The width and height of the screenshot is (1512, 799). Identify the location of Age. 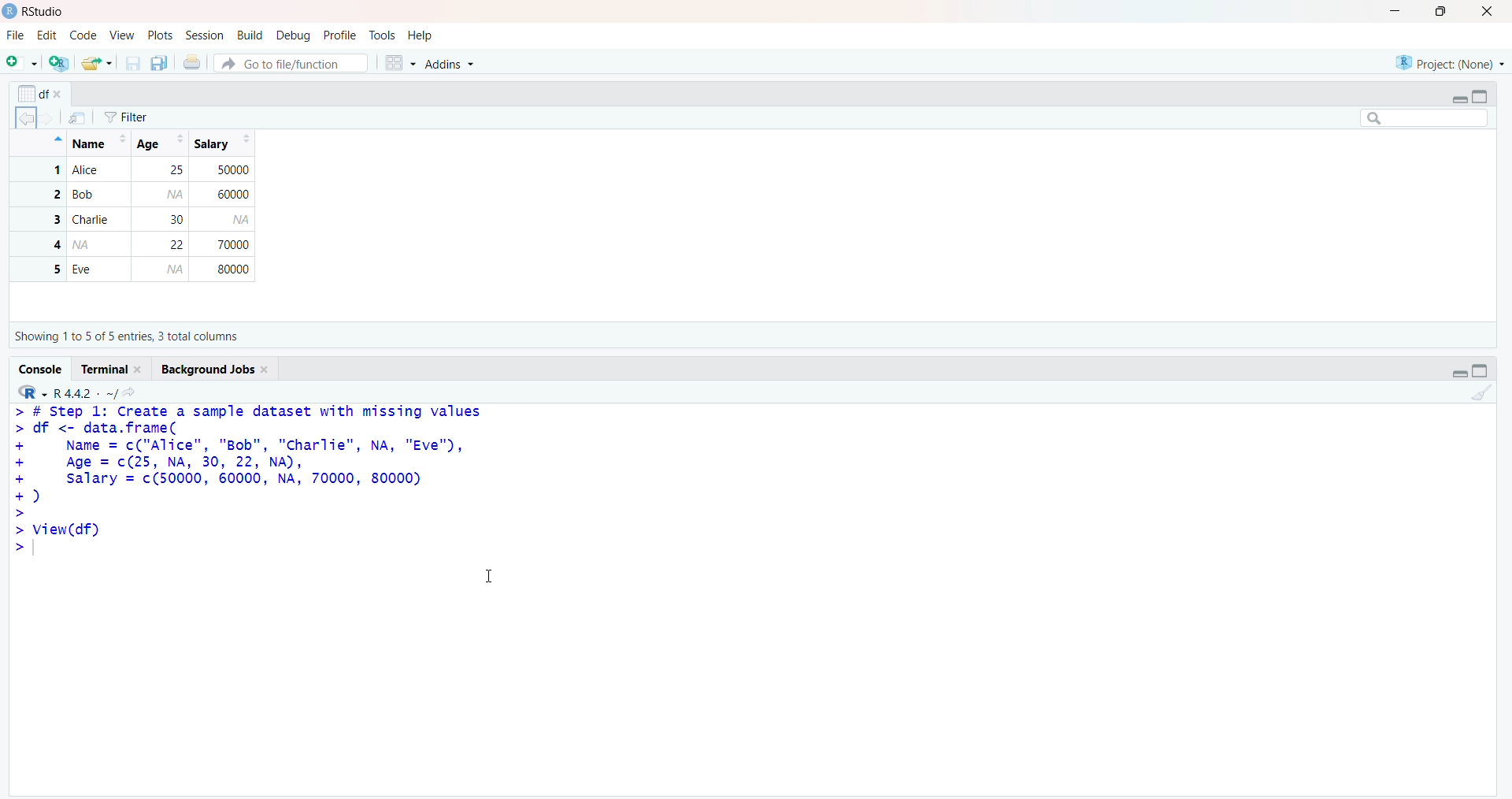
(160, 143).